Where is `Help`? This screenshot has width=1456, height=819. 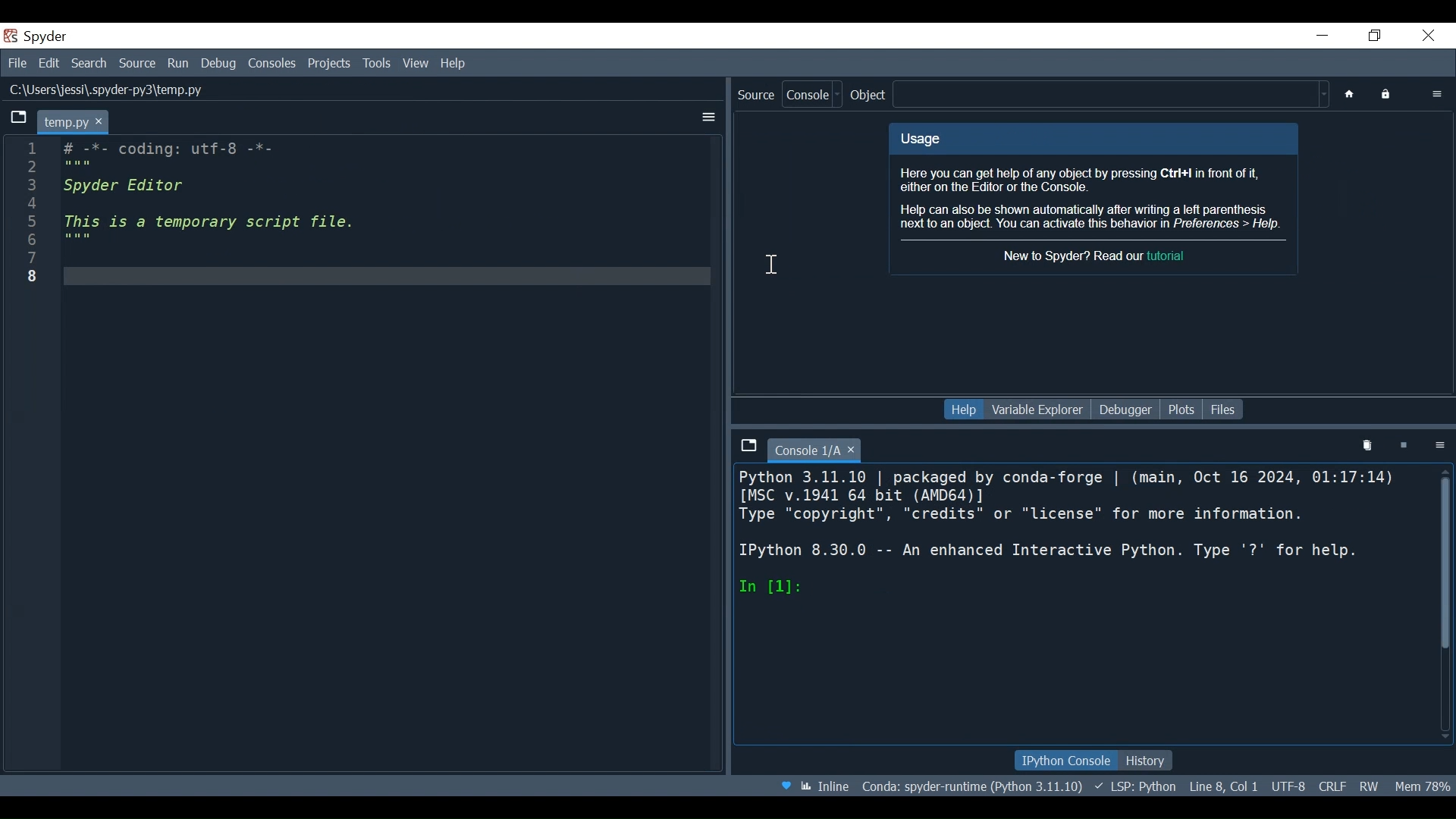 Help is located at coordinates (964, 409).